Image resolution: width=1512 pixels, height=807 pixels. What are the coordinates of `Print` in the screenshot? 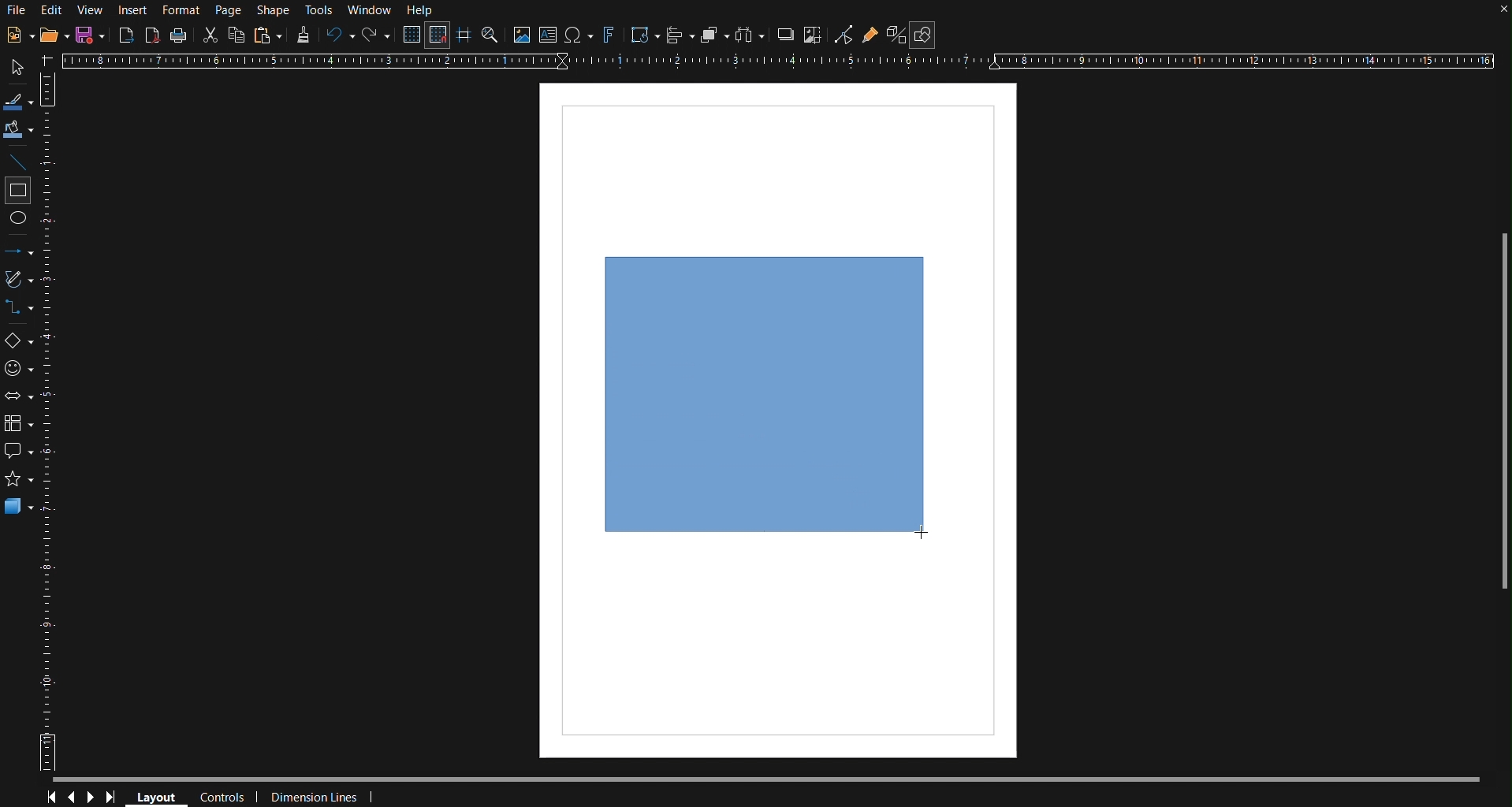 It's located at (178, 36).